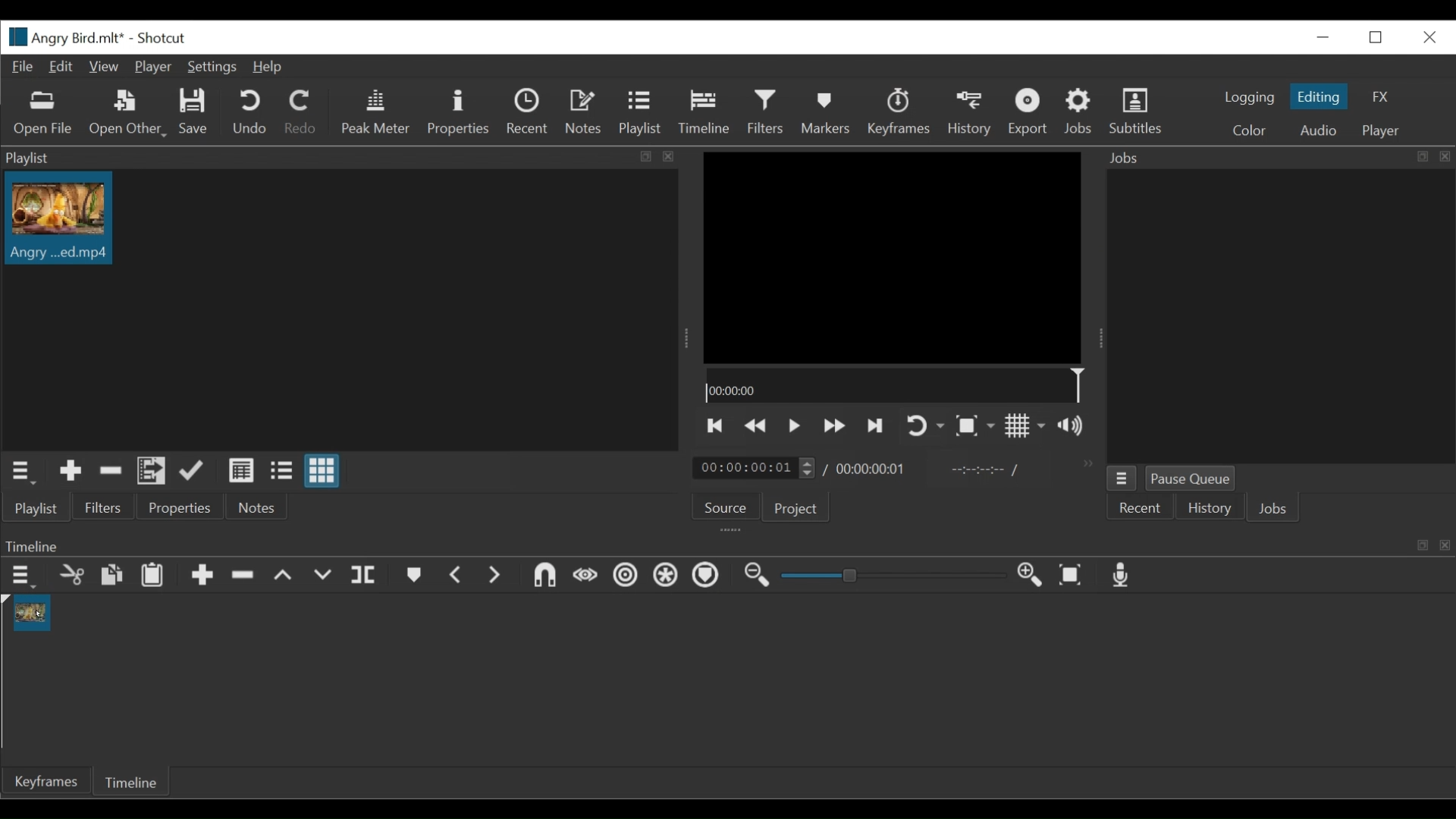  I want to click on logging, so click(1250, 99).